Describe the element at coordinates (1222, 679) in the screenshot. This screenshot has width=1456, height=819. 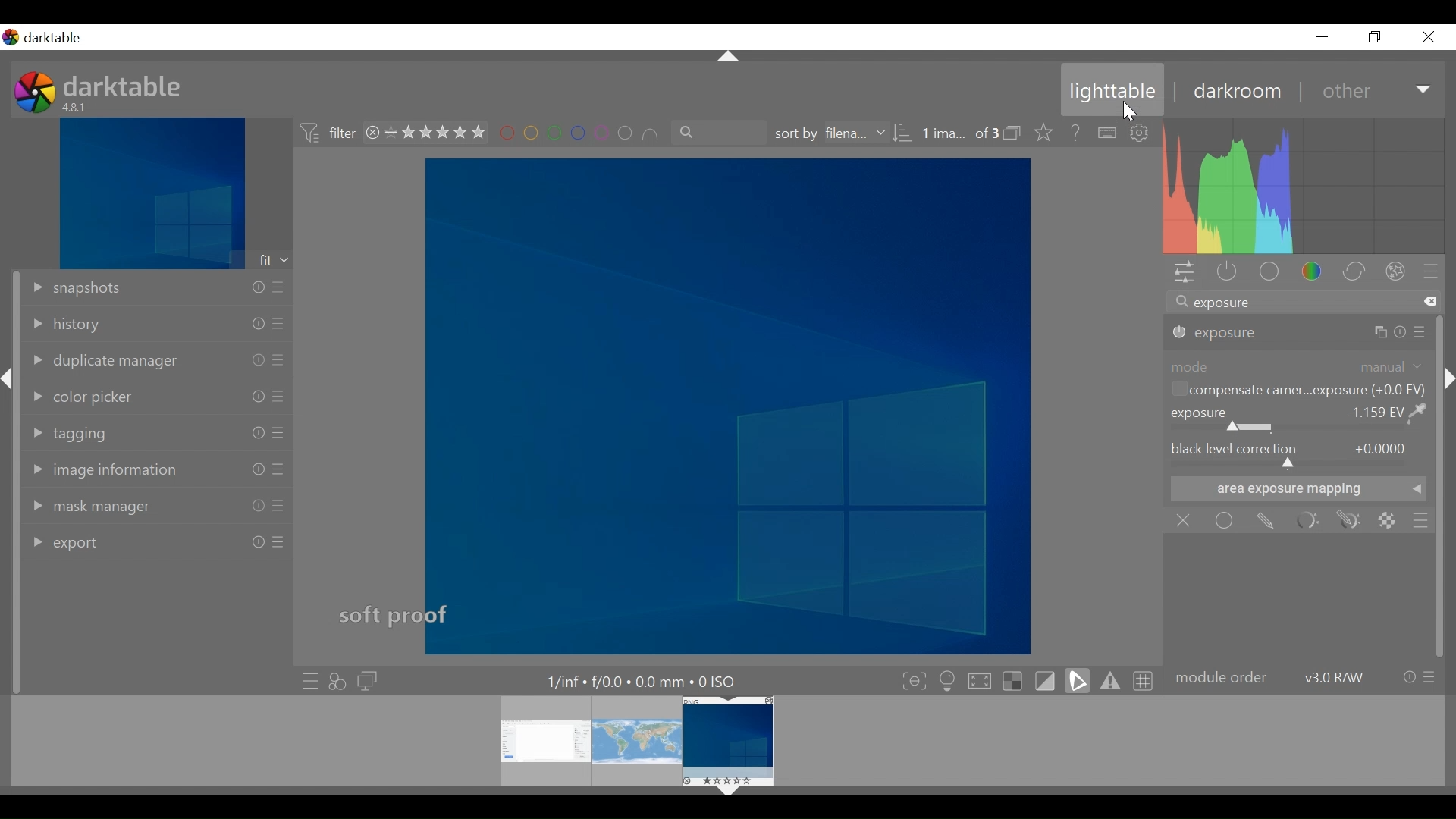
I see `module order` at that location.